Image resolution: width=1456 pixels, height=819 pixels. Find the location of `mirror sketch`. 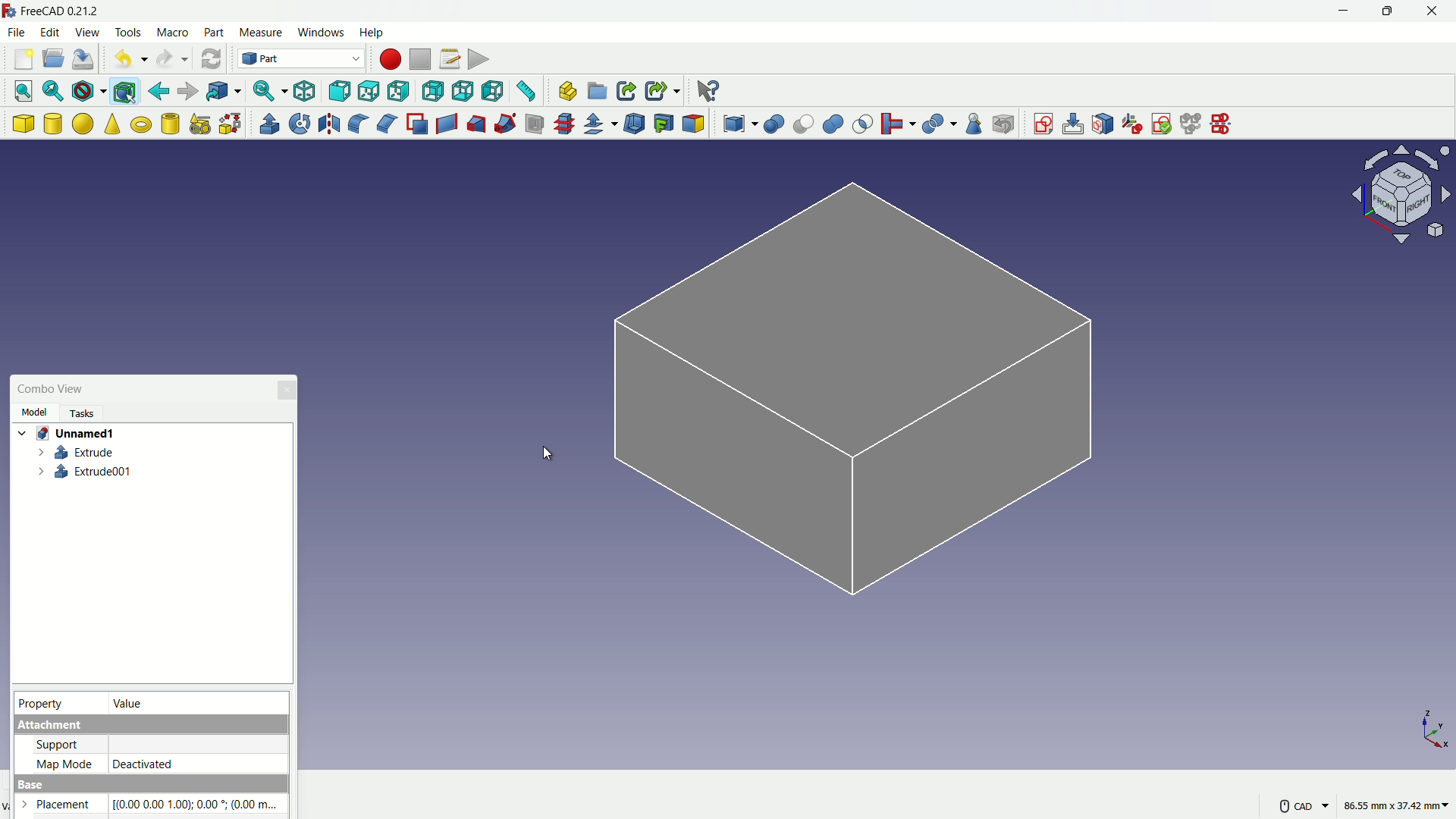

mirror sketch is located at coordinates (1226, 123).